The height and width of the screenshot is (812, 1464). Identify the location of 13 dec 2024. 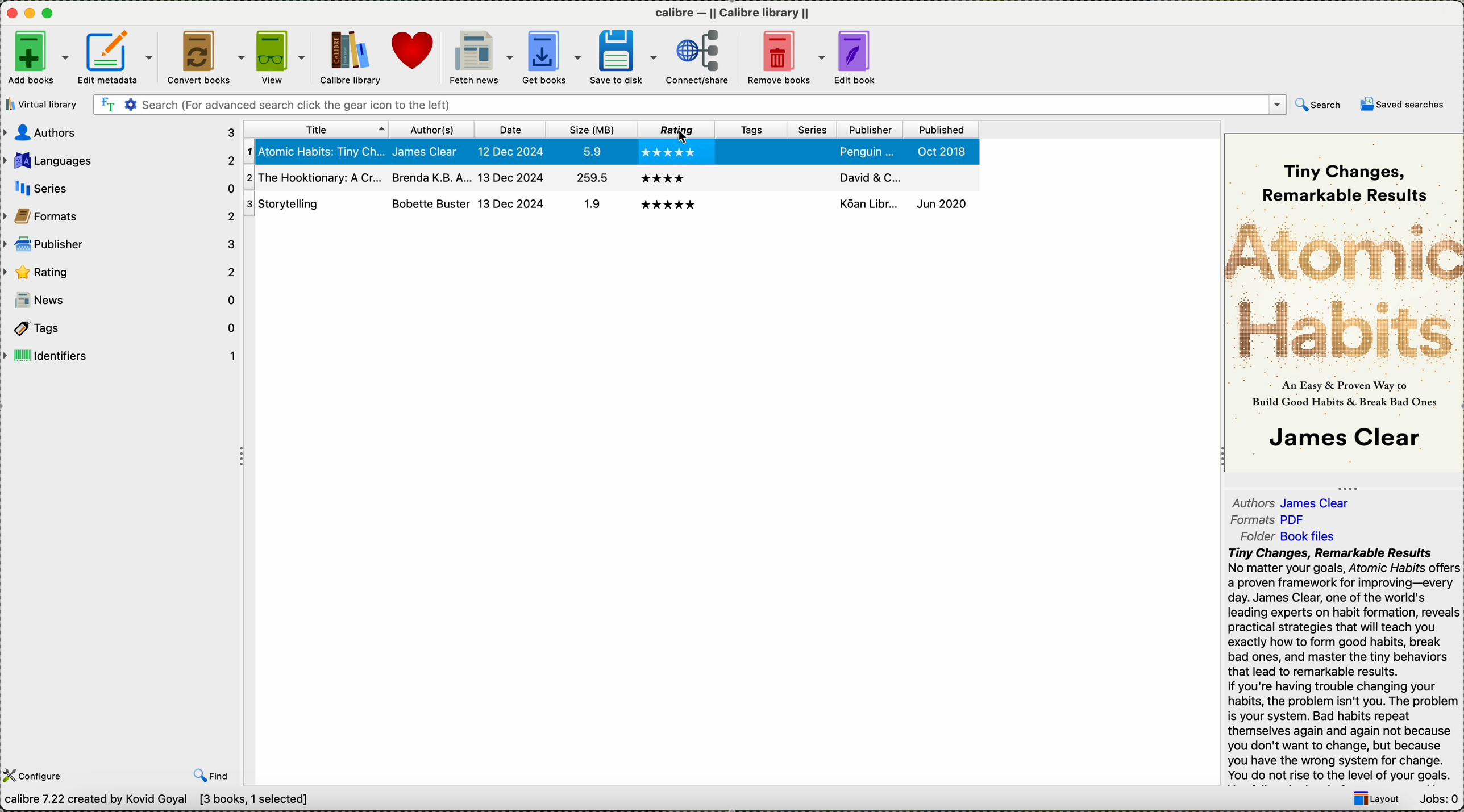
(511, 176).